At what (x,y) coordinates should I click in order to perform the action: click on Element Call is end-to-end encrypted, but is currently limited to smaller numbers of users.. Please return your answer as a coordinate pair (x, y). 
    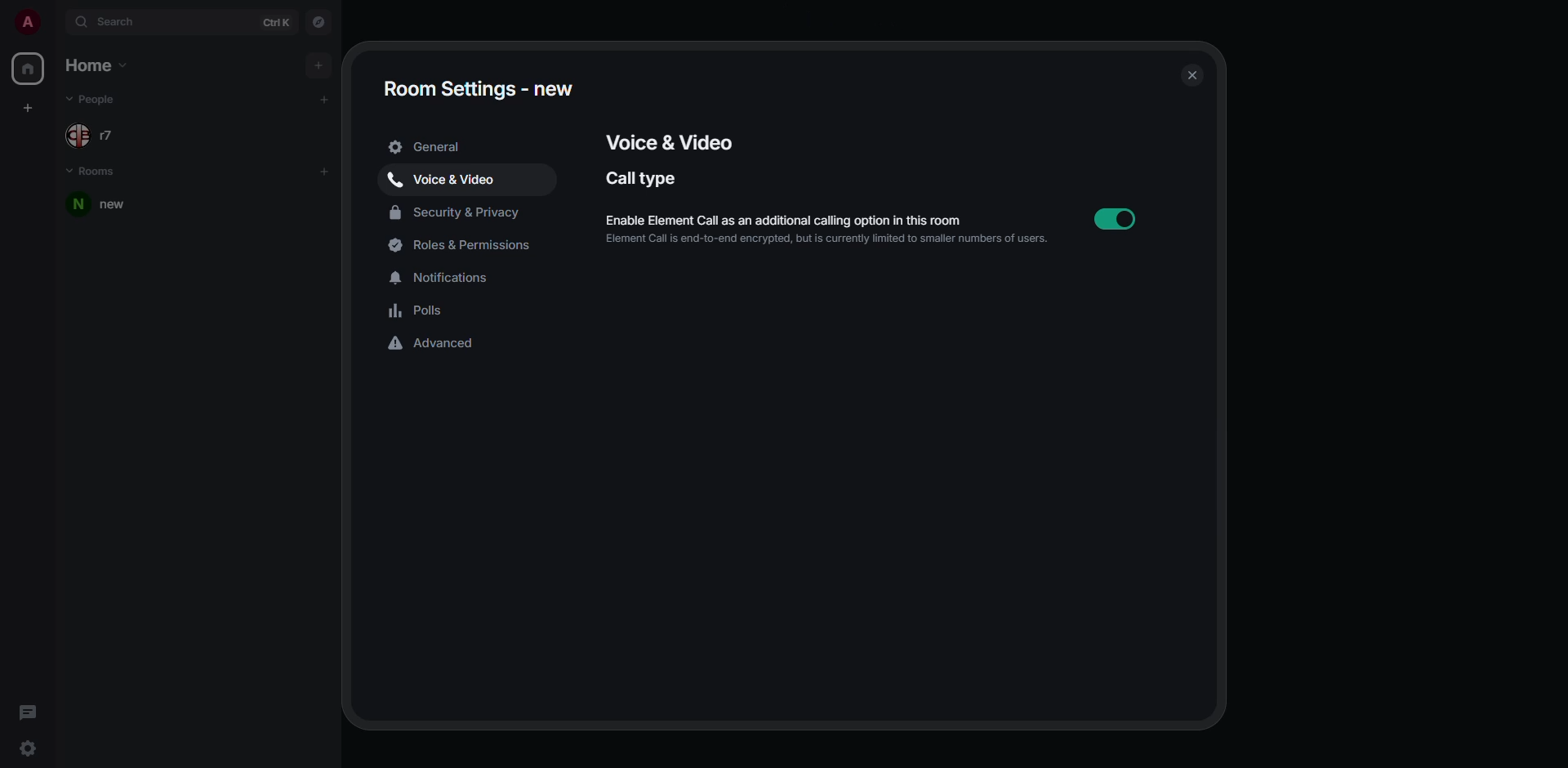
    Looking at the image, I should click on (826, 239).